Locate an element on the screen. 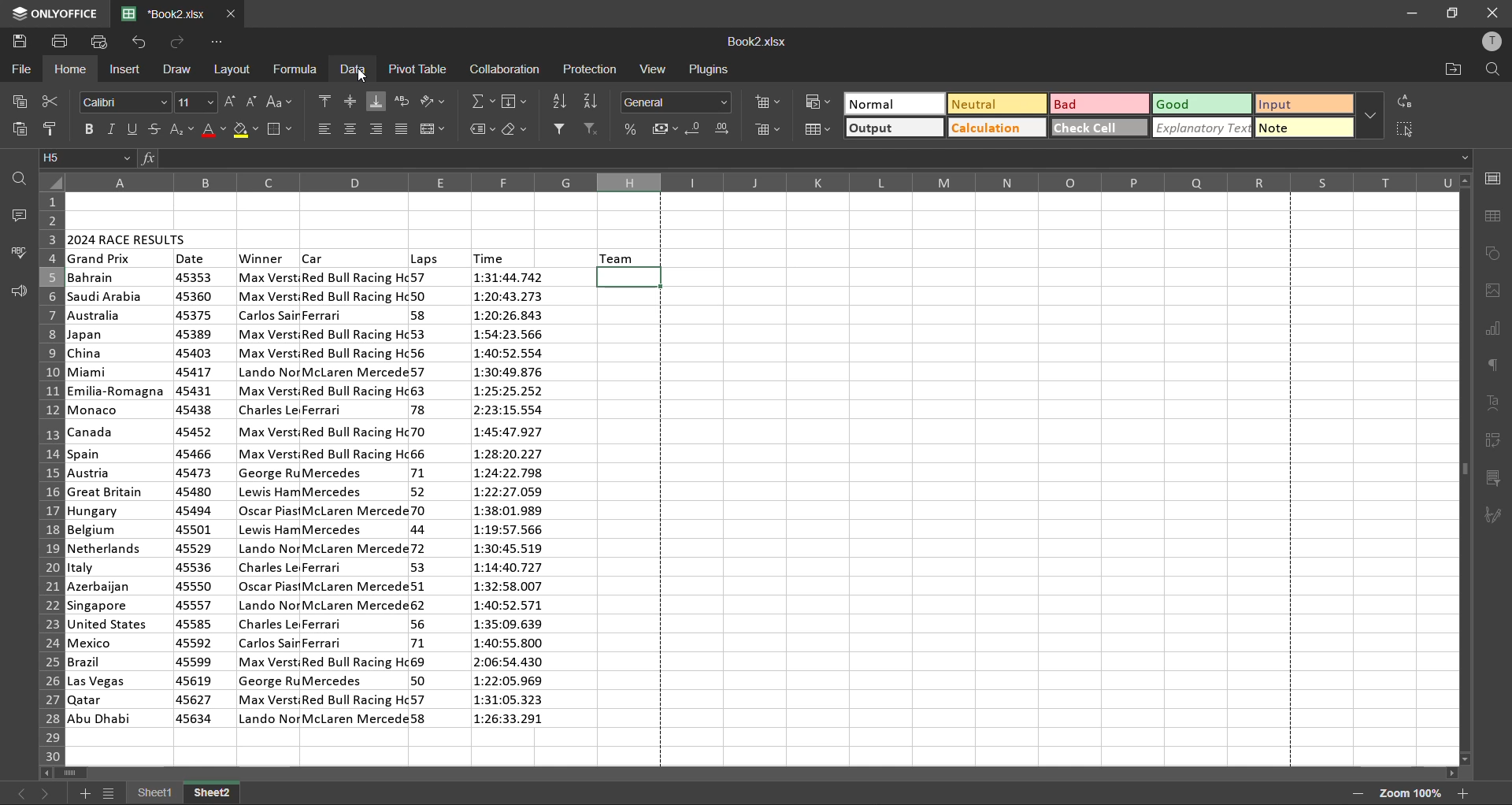 Image resolution: width=1512 pixels, height=805 pixels. spellcheck is located at coordinates (20, 252).